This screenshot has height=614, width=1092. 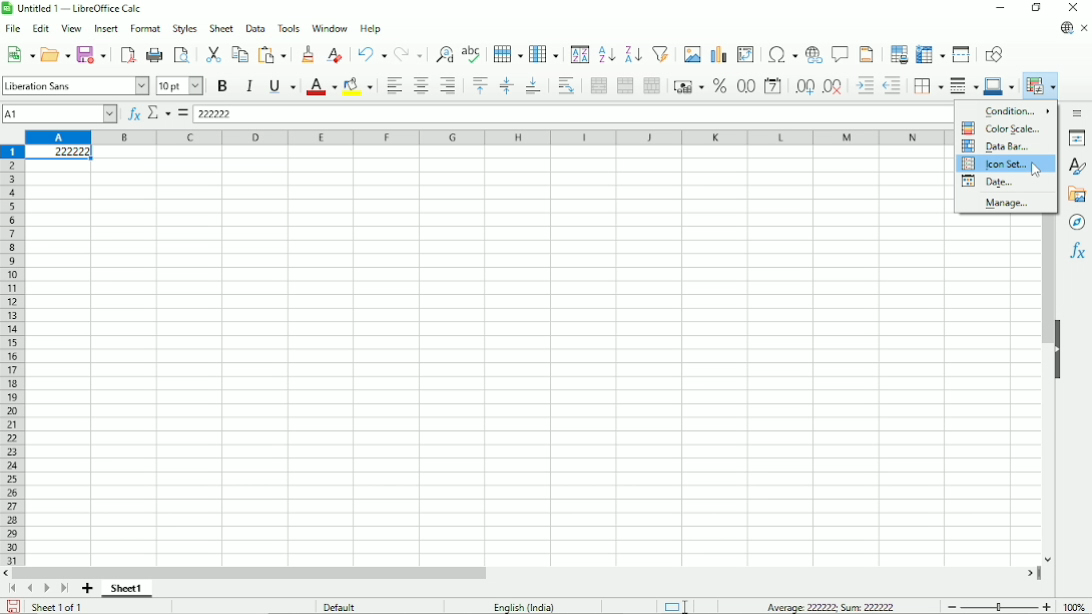 What do you see at coordinates (219, 28) in the screenshot?
I see `Sheet` at bounding box center [219, 28].